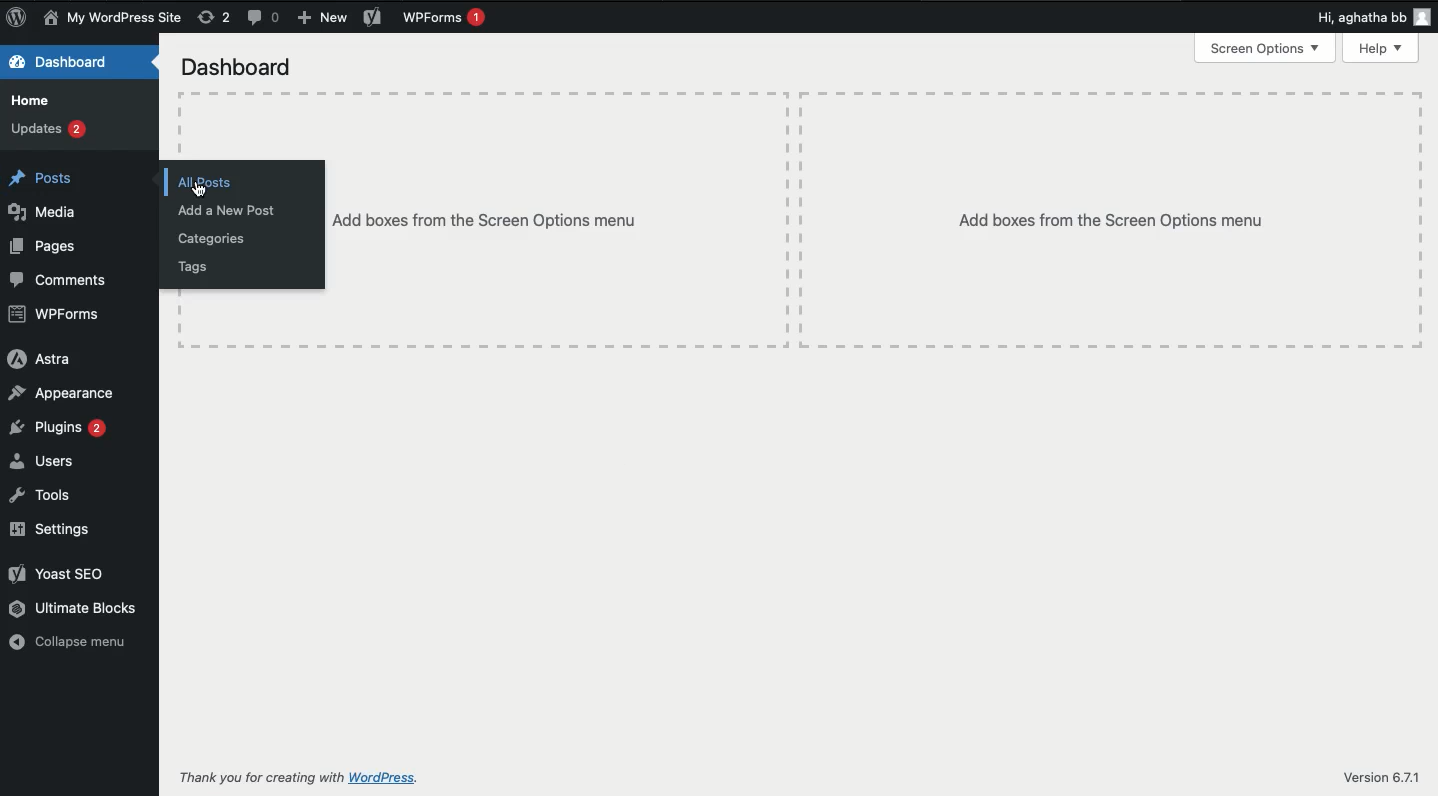  Describe the element at coordinates (261, 777) in the screenshot. I see `Thank you for creating with WordPress` at that location.